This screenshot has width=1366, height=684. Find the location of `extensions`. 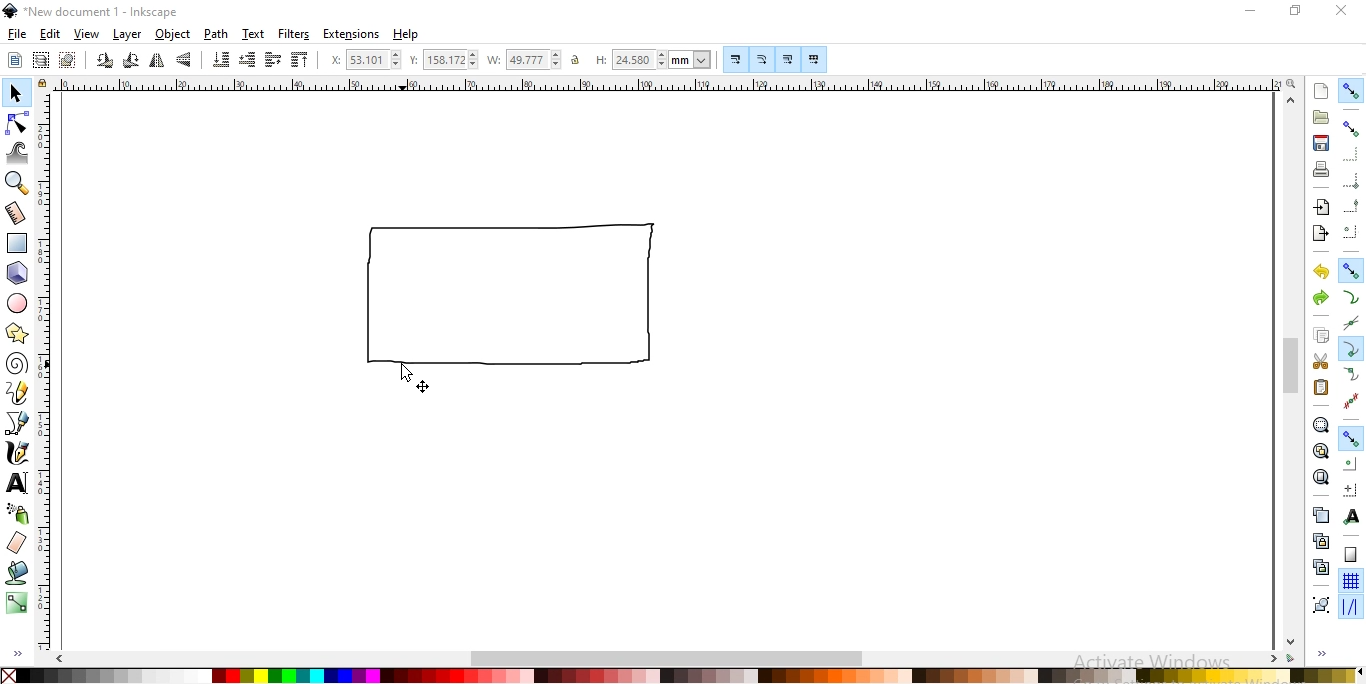

extensions is located at coordinates (351, 34).